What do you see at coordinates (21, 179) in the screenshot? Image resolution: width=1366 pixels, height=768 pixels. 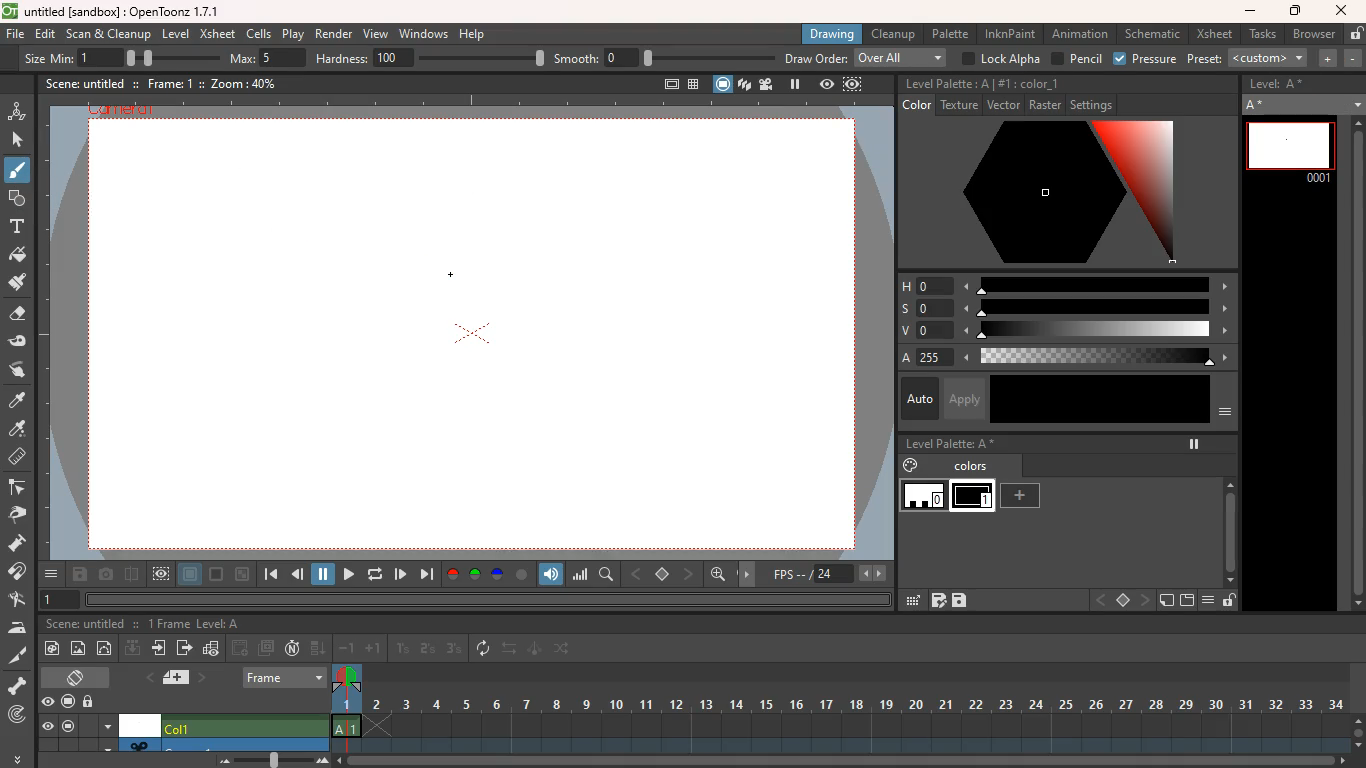 I see `Cursor` at bounding box center [21, 179].